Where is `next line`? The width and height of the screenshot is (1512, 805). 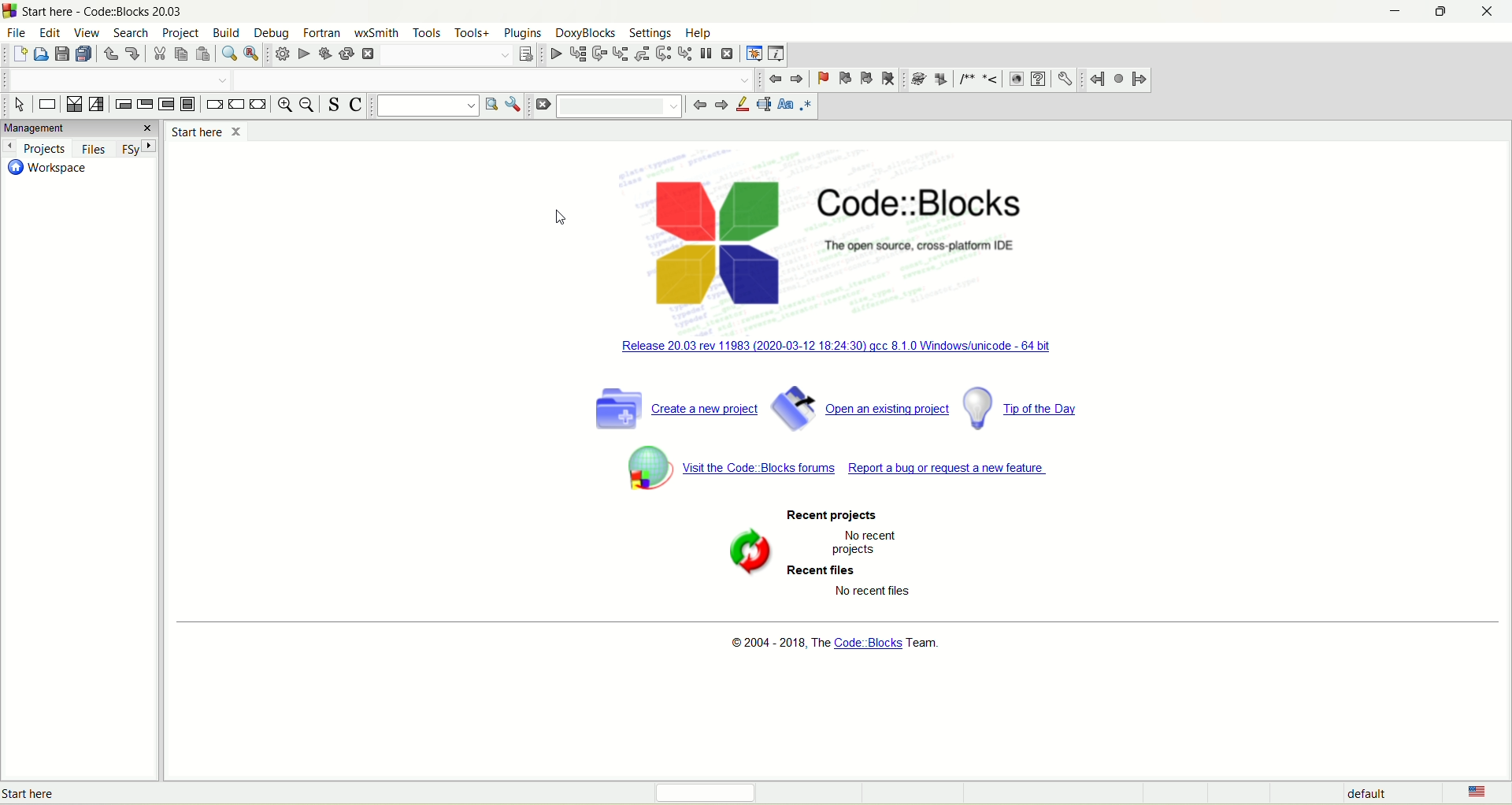
next line is located at coordinates (598, 54).